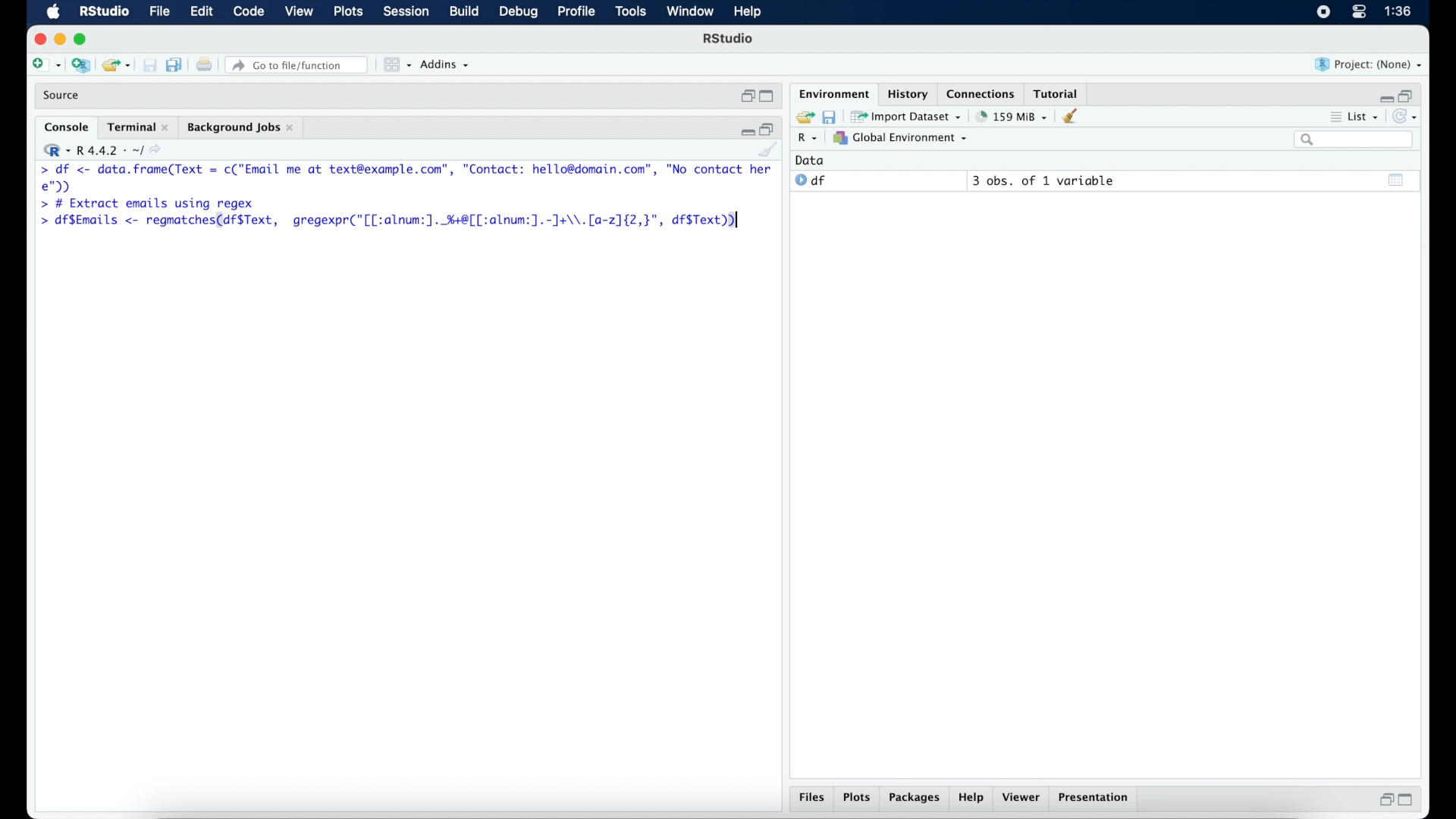 The height and width of the screenshot is (819, 1456). Describe the element at coordinates (906, 93) in the screenshot. I see `History` at that location.